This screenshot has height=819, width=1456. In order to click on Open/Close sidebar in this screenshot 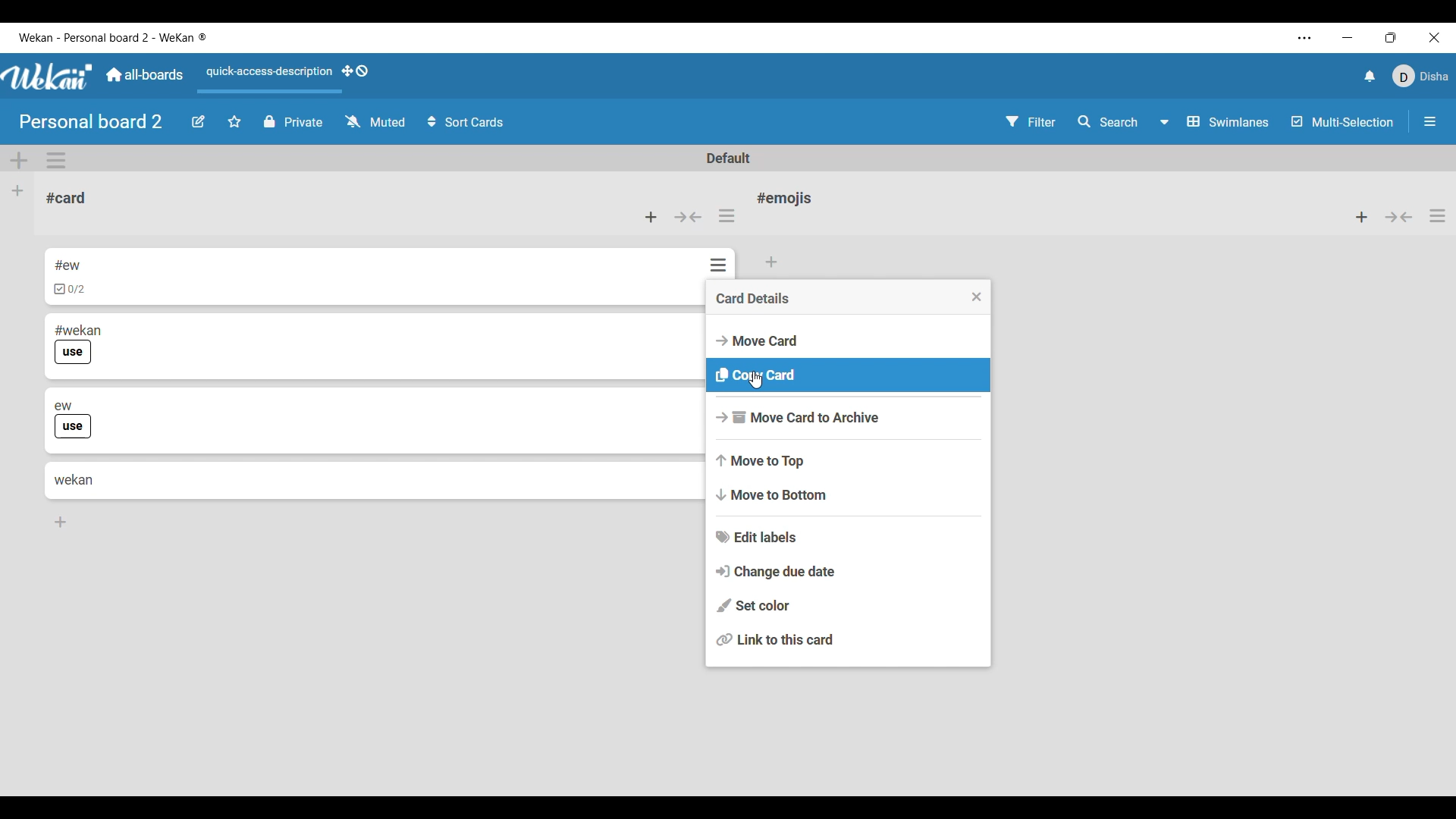, I will do `click(1430, 121)`.